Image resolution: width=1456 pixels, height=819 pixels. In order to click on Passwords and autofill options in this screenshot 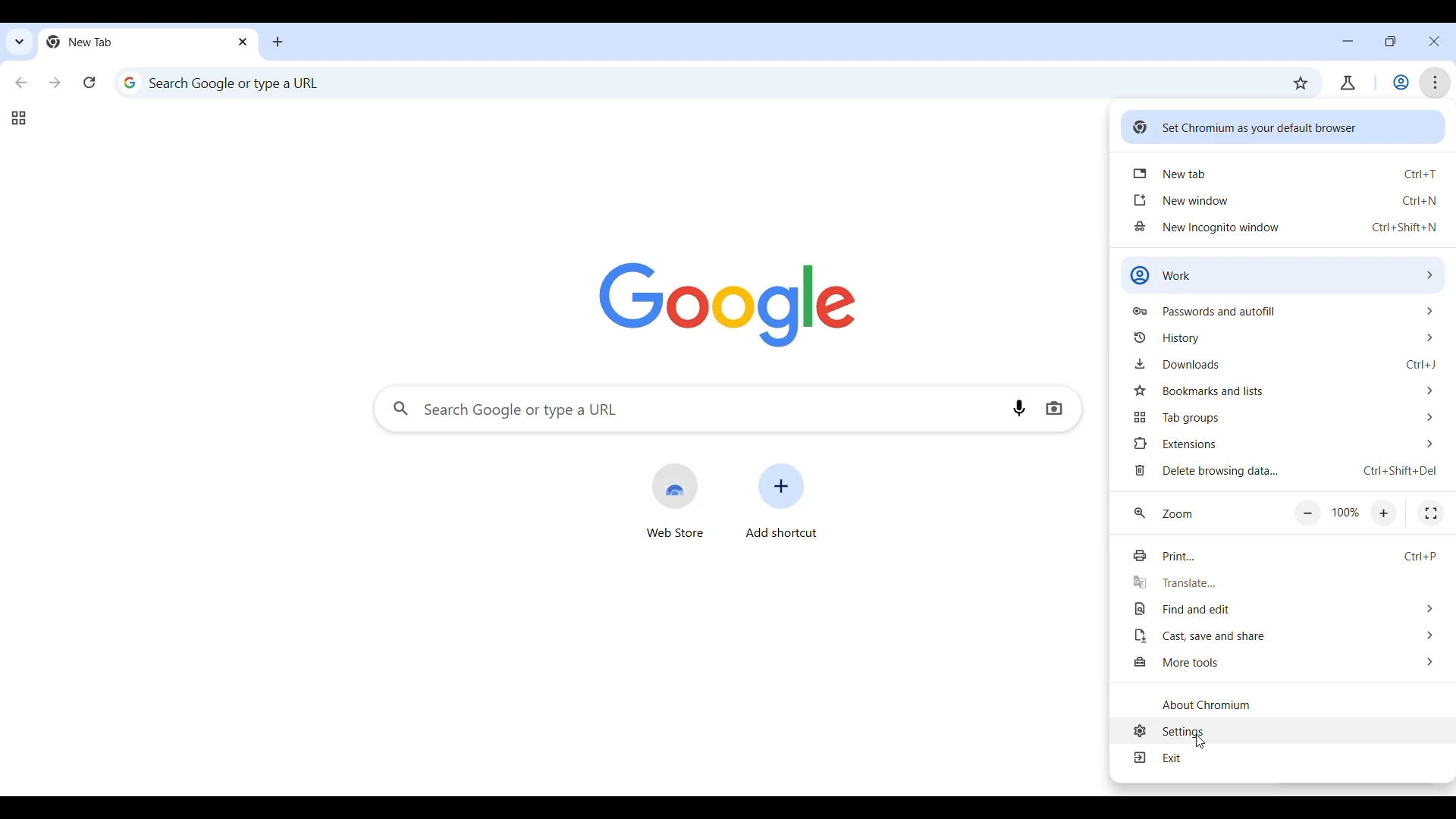, I will do `click(1283, 312)`.